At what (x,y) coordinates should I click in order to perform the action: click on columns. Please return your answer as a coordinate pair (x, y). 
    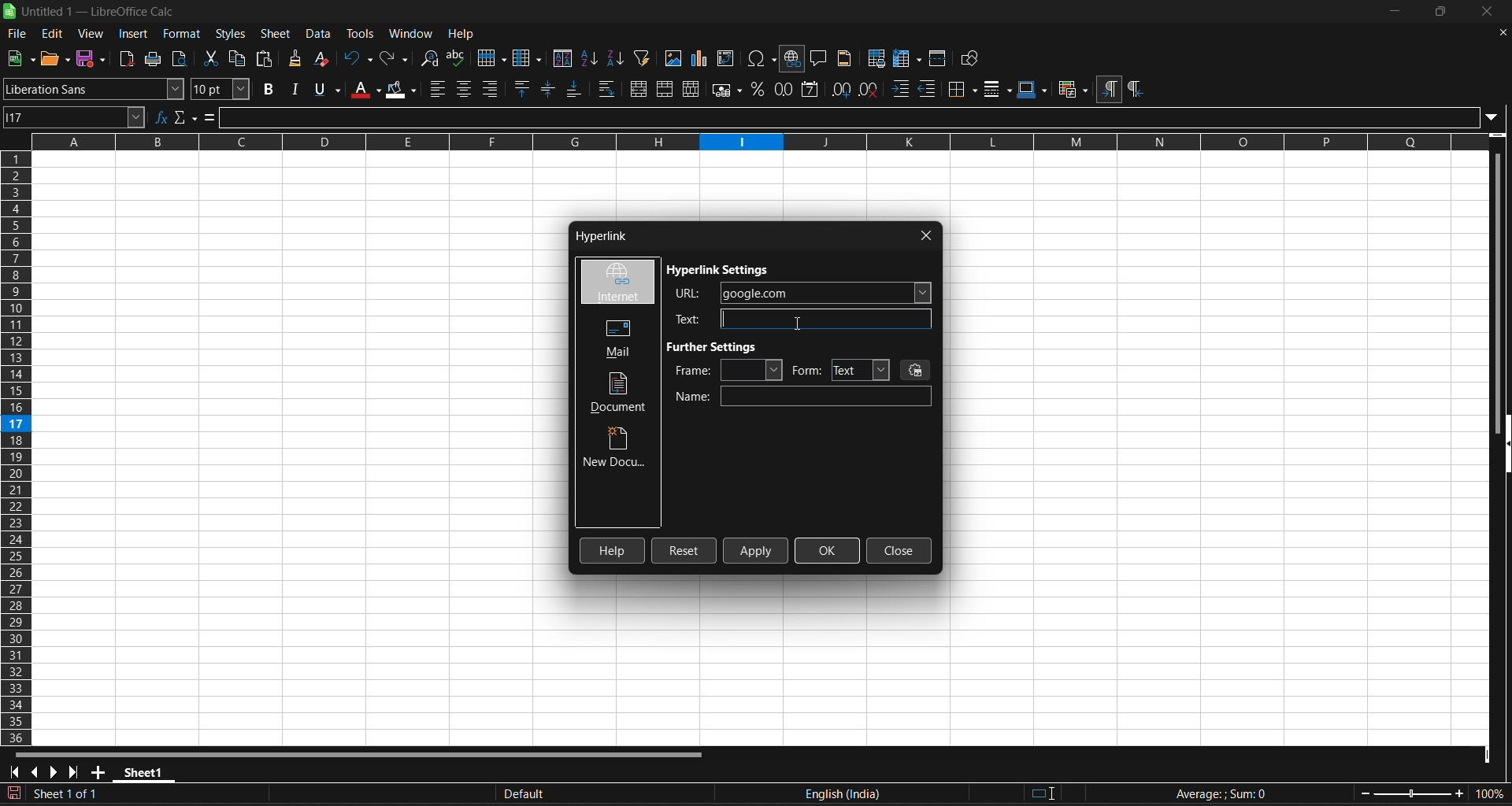
    Looking at the image, I should click on (17, 449).